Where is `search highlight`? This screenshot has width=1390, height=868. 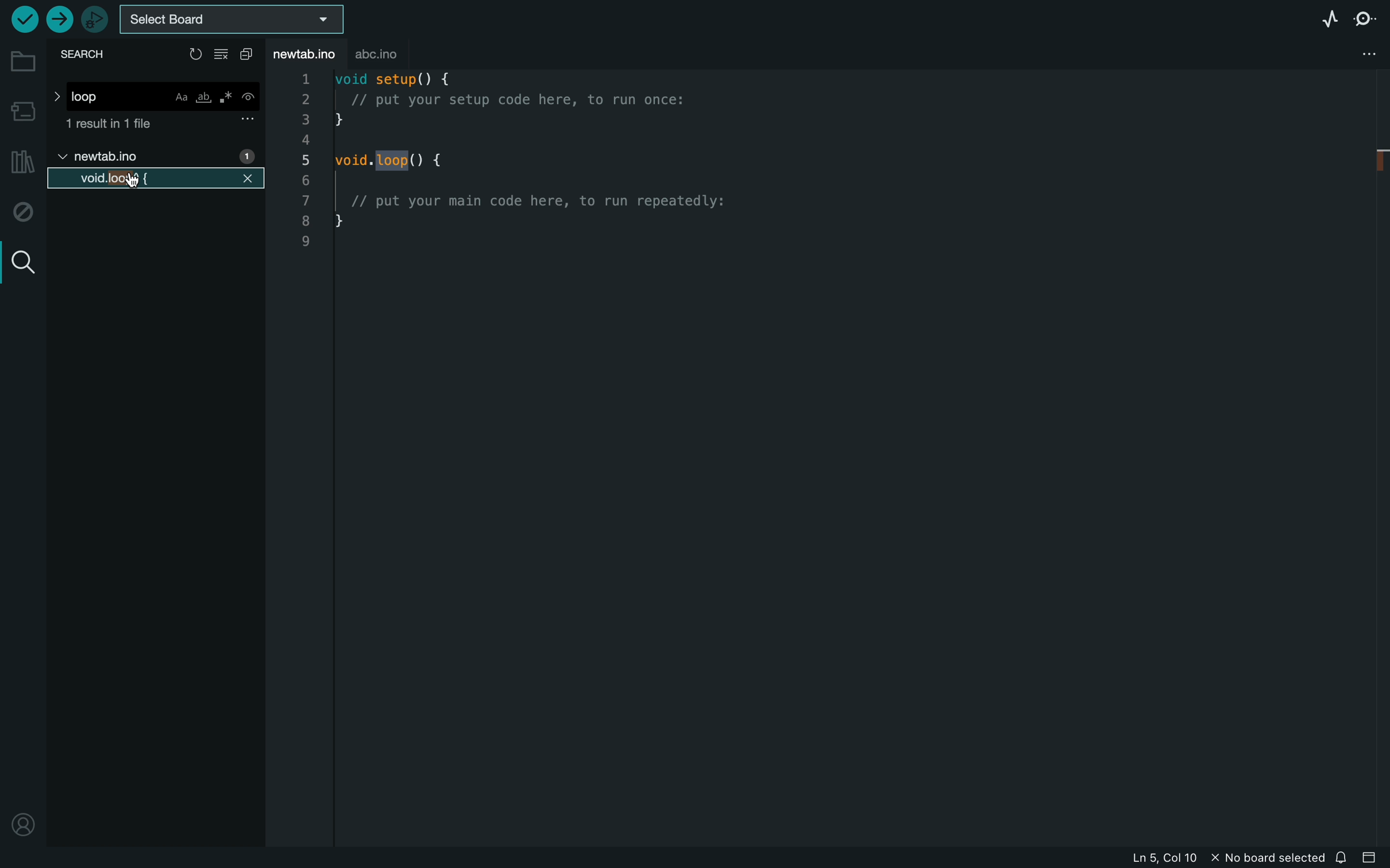
search highlight is located at coordinates (395, 161).